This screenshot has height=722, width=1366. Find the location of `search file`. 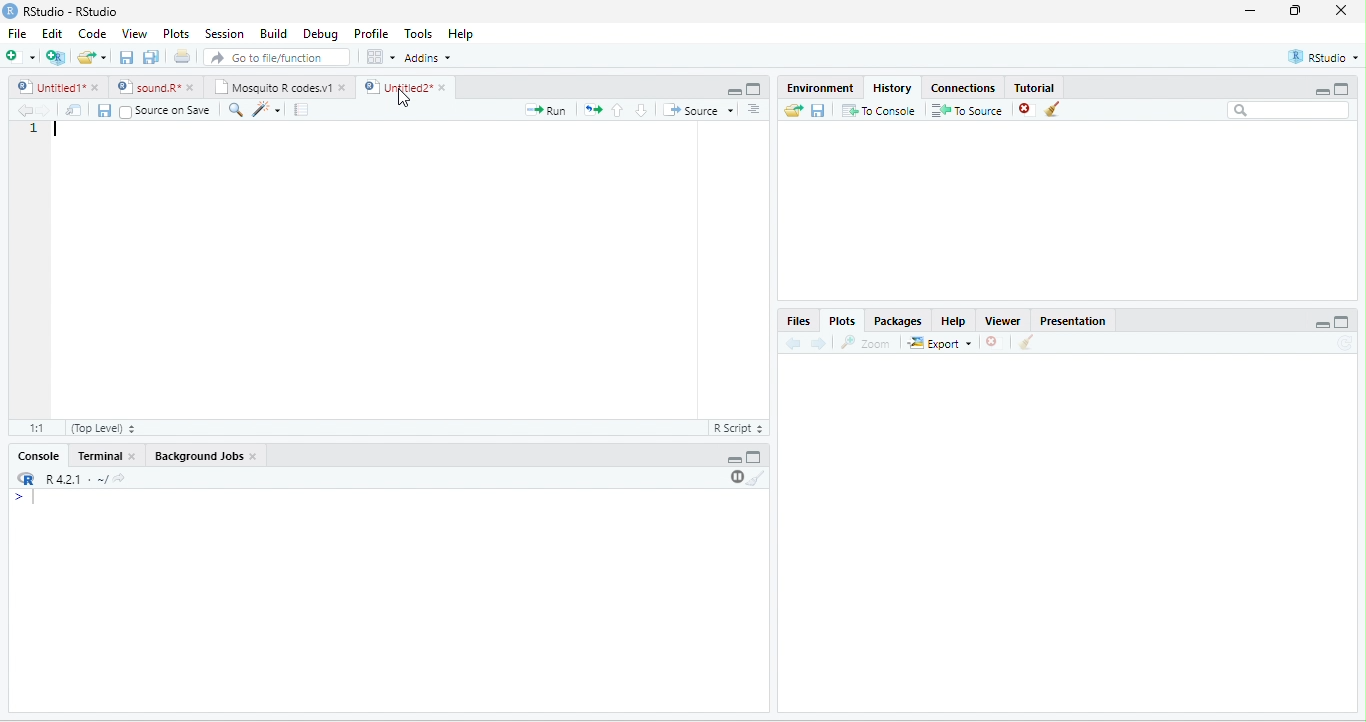

search file is located at coordinates (278, 57).